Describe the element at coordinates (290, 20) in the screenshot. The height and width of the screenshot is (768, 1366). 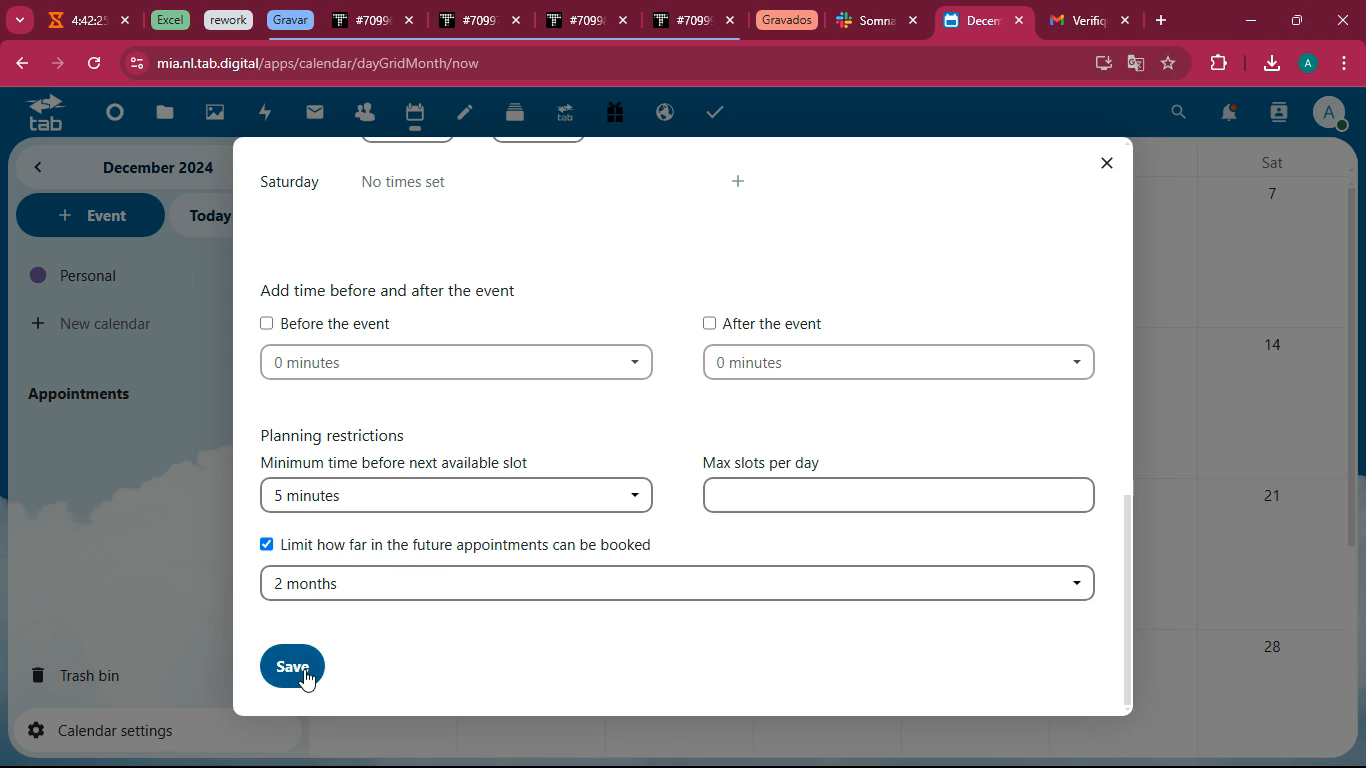
I see `tab` at that location.